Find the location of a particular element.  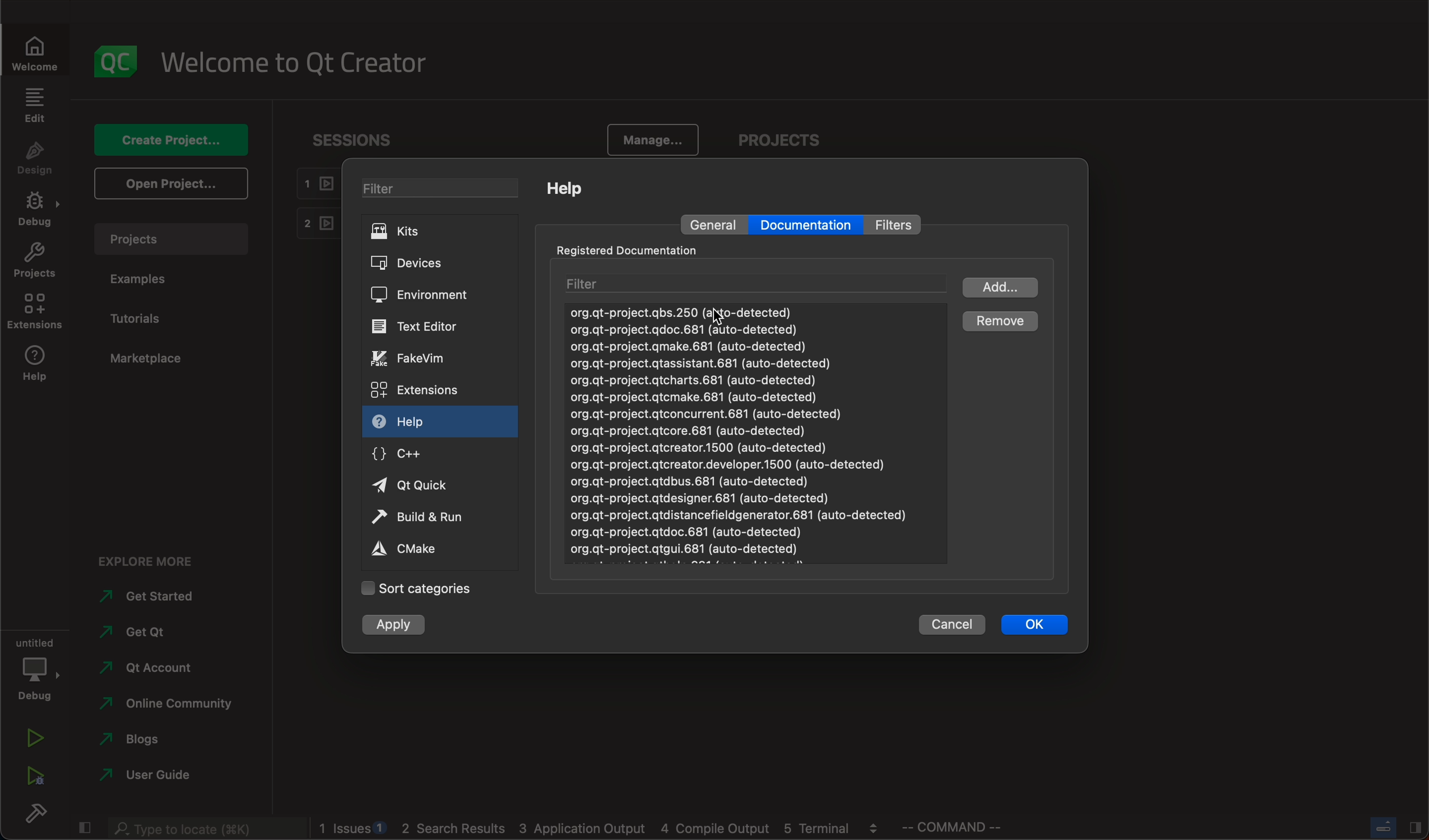

document list is located at coordinates (739, 433).